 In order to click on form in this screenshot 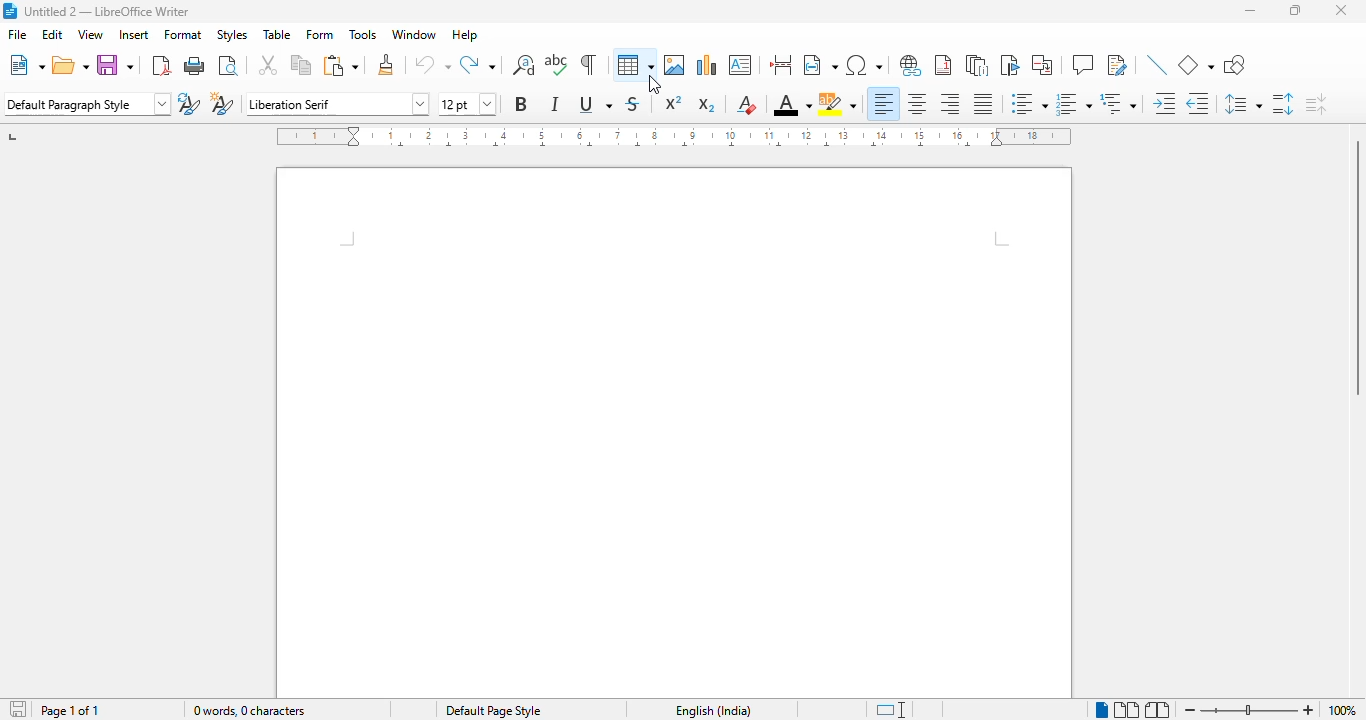, I will do `click(319, 35)`.